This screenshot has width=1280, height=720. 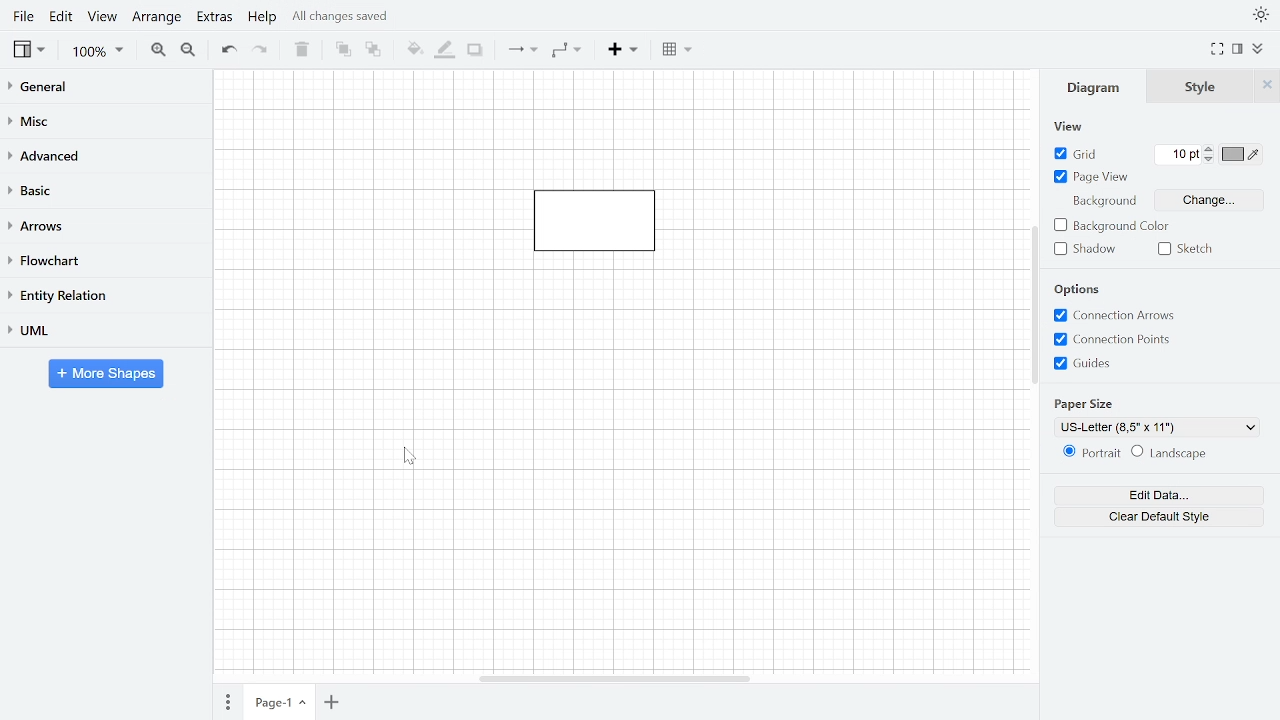 What do you see at coordinates (1165, 517) in the screenshot?
I see `Clear default style` at bounding box center [1165, 517].